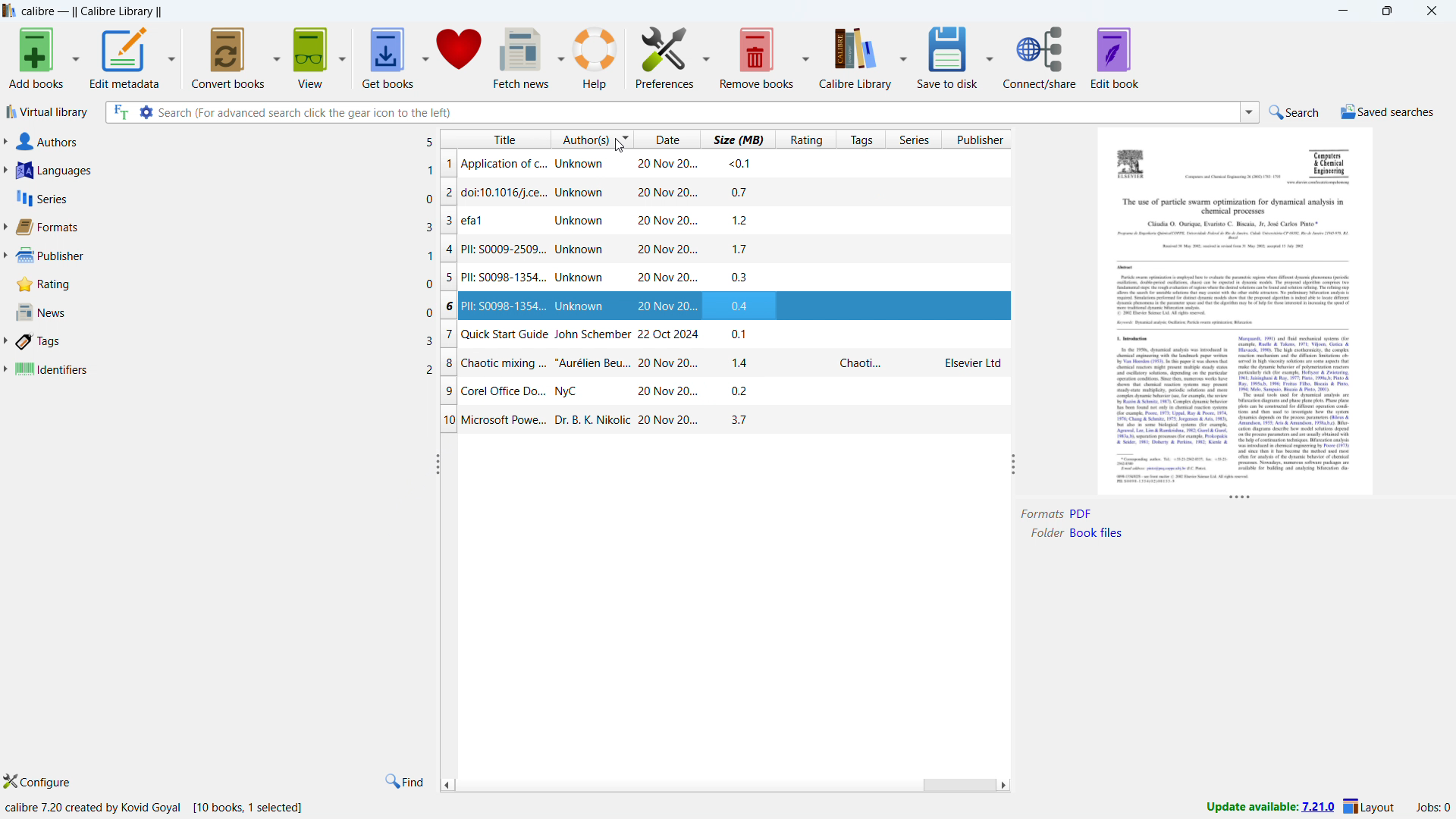 The image size is (1456, 819). I want to click on , so click(1227, 176).